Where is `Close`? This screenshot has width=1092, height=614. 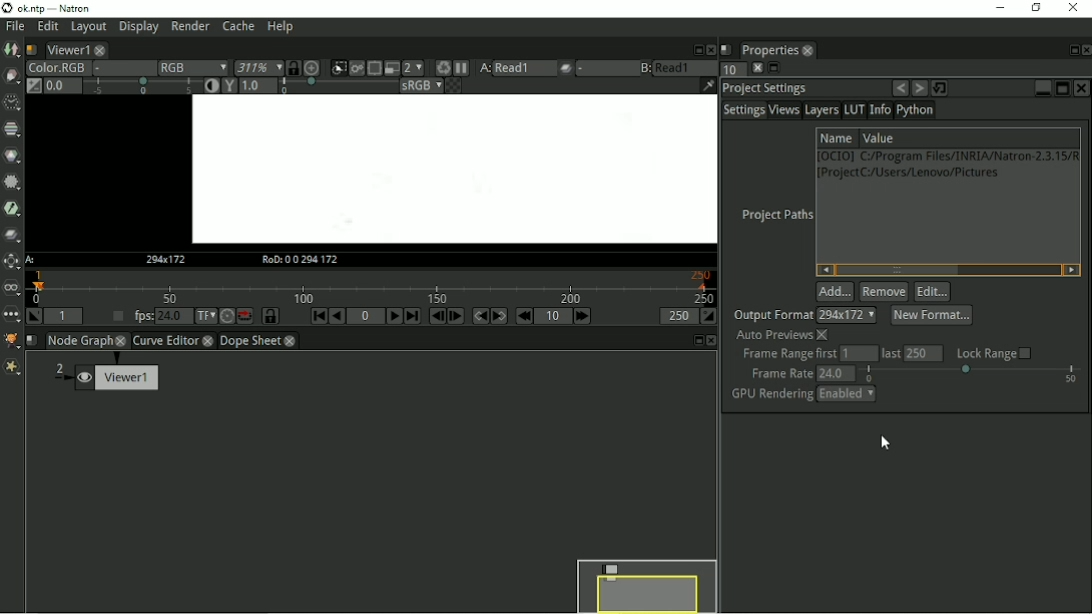
Close is located at coordinates (1081, 87).